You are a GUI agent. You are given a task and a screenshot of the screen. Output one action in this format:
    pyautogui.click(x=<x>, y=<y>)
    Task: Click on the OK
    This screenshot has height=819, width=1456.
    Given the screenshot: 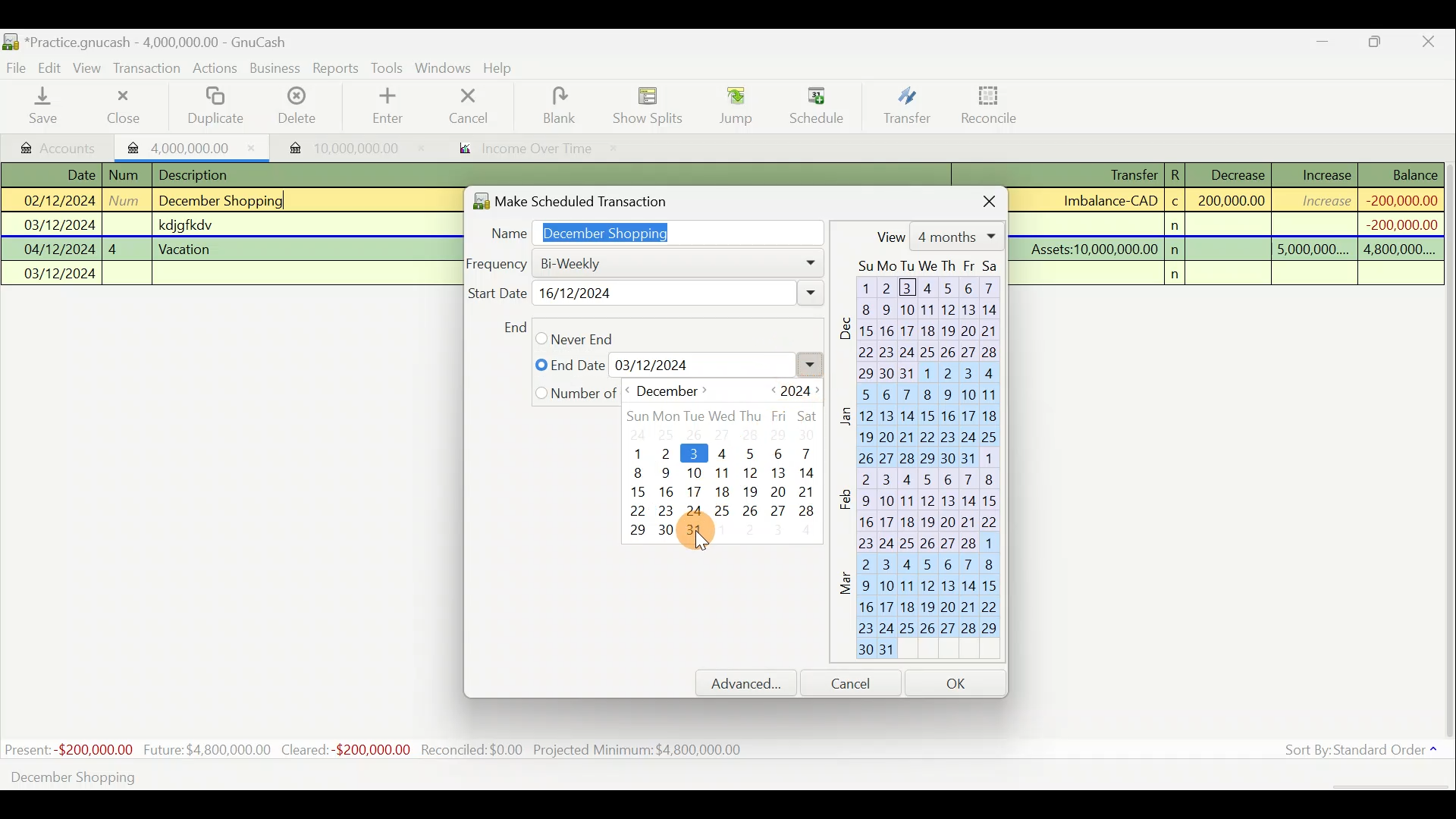 What is the action you would take?
    pyautogui.click(x=959, y=682)
    